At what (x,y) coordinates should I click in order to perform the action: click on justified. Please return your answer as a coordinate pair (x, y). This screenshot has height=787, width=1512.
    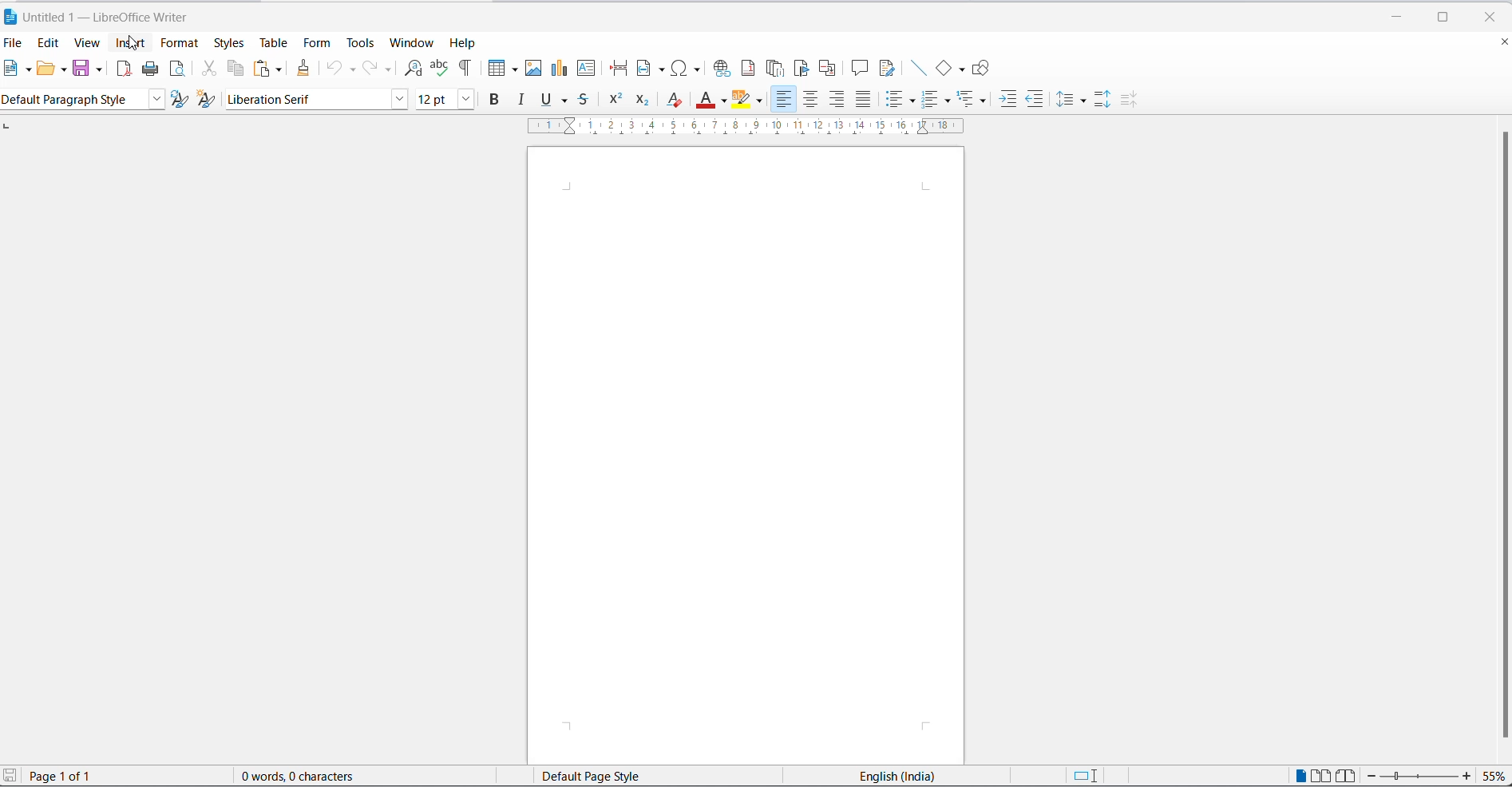
    Looking at the image, I should click on (863, 101).